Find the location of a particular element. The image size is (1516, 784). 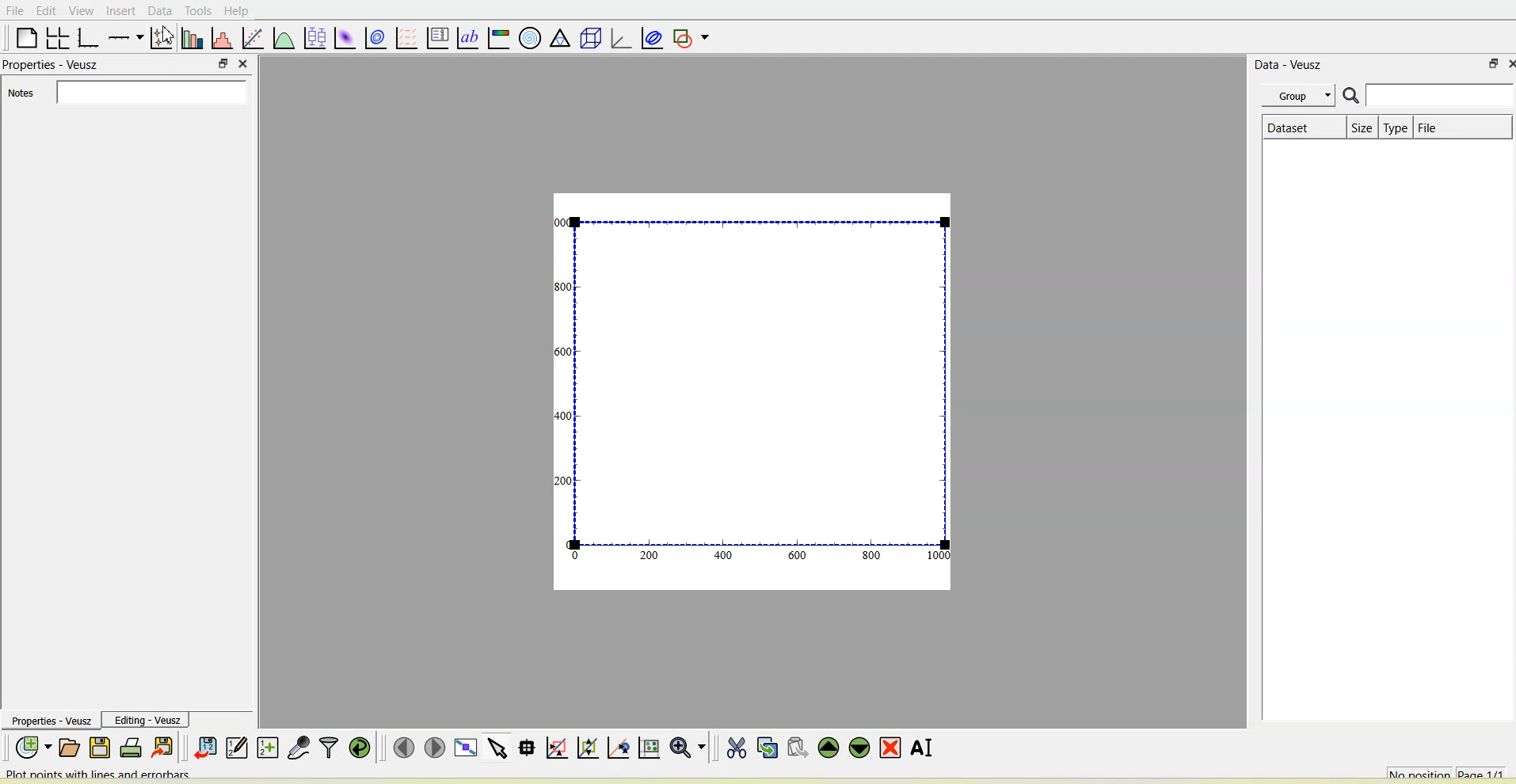

Insert is located at coordinates (120, 10).